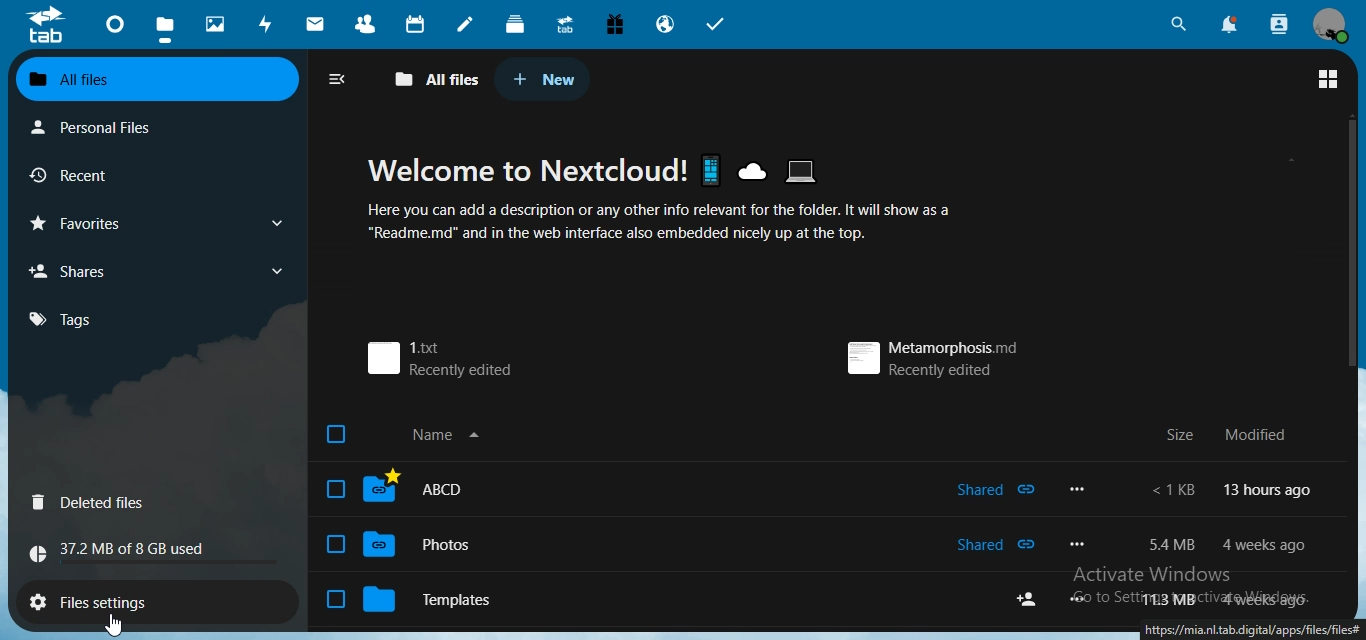 This screenshot has width=1366, height=640. What do you see at coordinates (664, 225) in the screenshot?
I see `[Here you can add a desaiption or any other info relevant for the folder. it will show as a
“Readme. md" and in the web interface also embedded nicely up at the top.` at bounding box center [664, 225].